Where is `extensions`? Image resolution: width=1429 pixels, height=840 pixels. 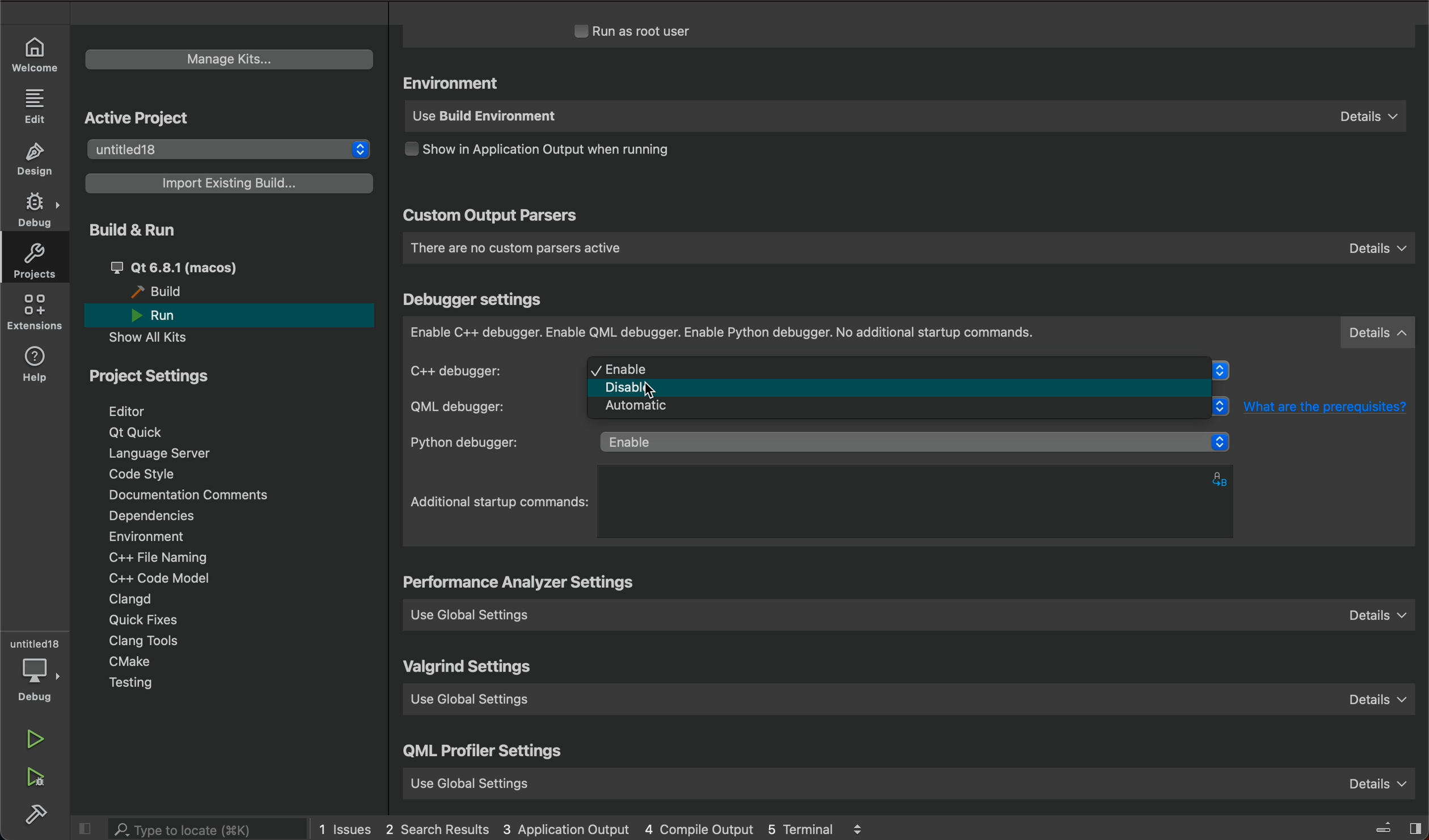 extensions is located at coordinates (37, 315).